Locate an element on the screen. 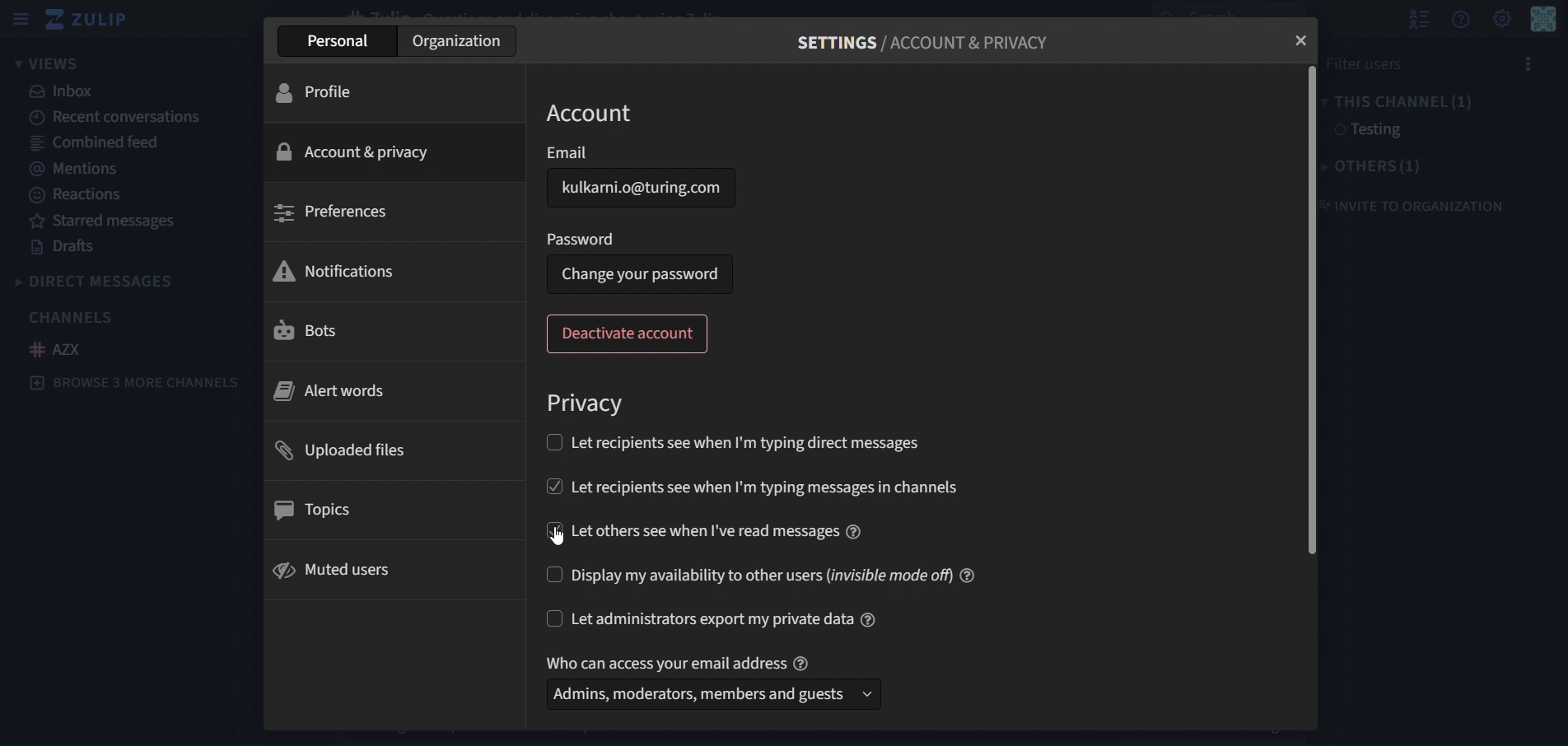  views is located at coordinates (49, 64).